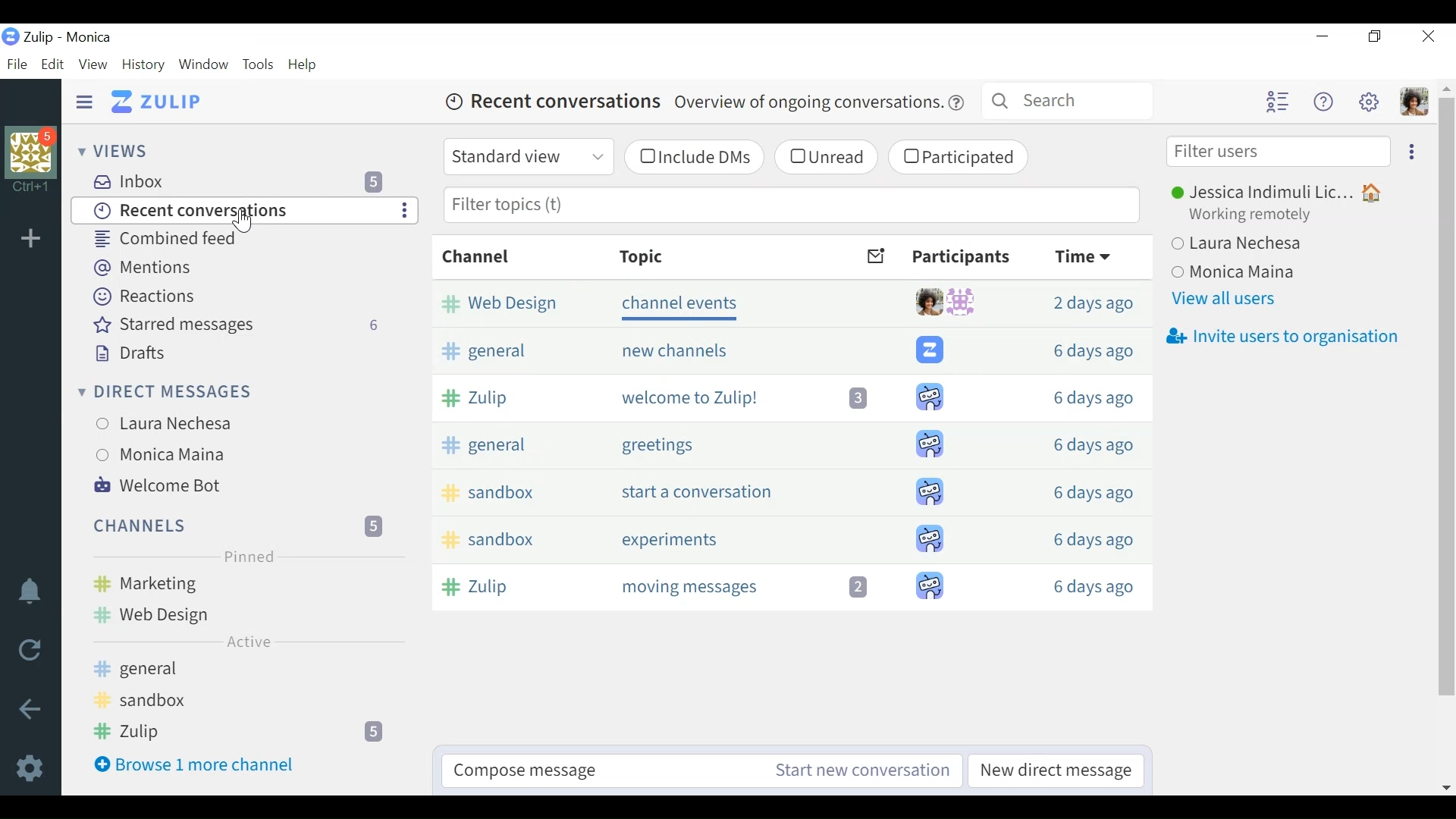 Image resolution: width=1456 pixels, height=819 pixels. What do you see at coordinates (235, 701) in the screenshot?
I see `sandbox` at bounding box center [235, 701].